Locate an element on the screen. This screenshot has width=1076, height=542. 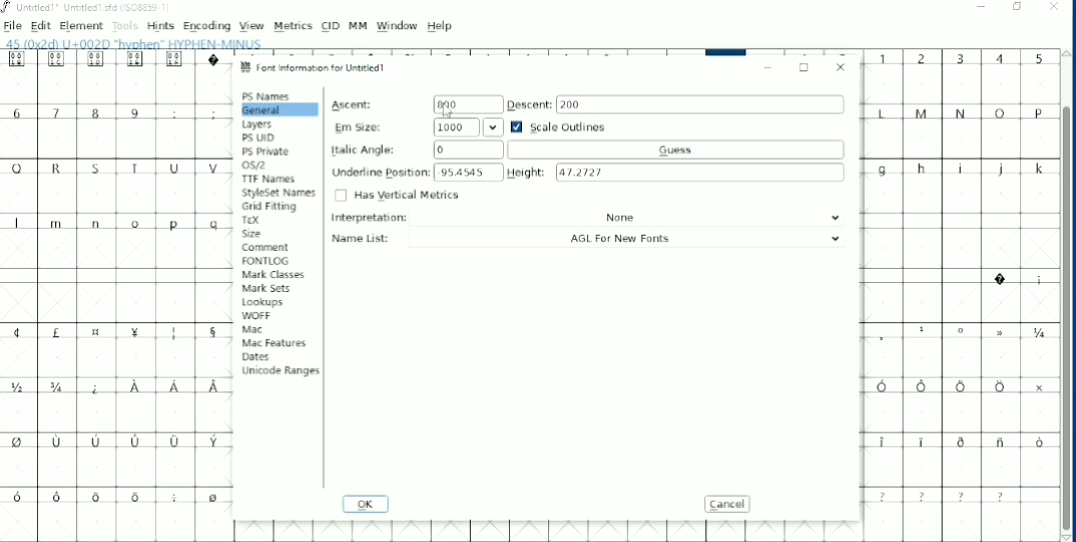
OK is located at coordinates (365, 505).